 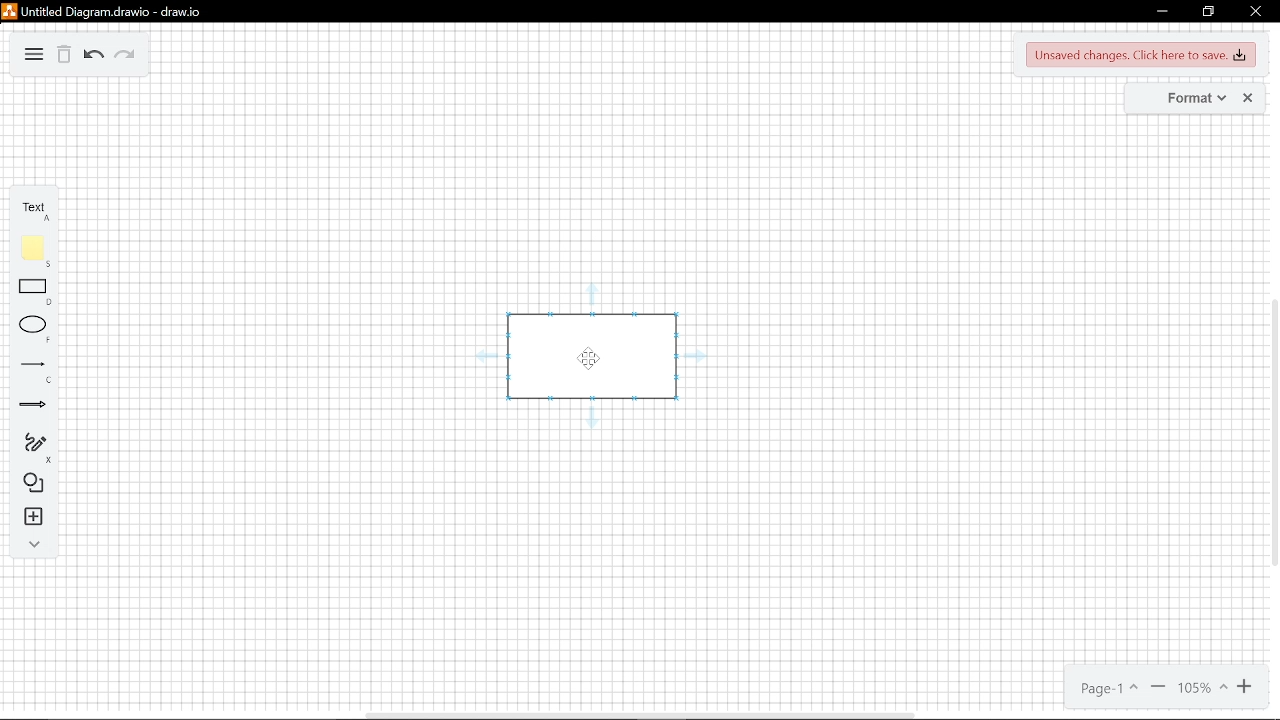 What do you see at coordinates (36, 57) in the screenshot?
I see `diagram` at bounding box center [36, 57].